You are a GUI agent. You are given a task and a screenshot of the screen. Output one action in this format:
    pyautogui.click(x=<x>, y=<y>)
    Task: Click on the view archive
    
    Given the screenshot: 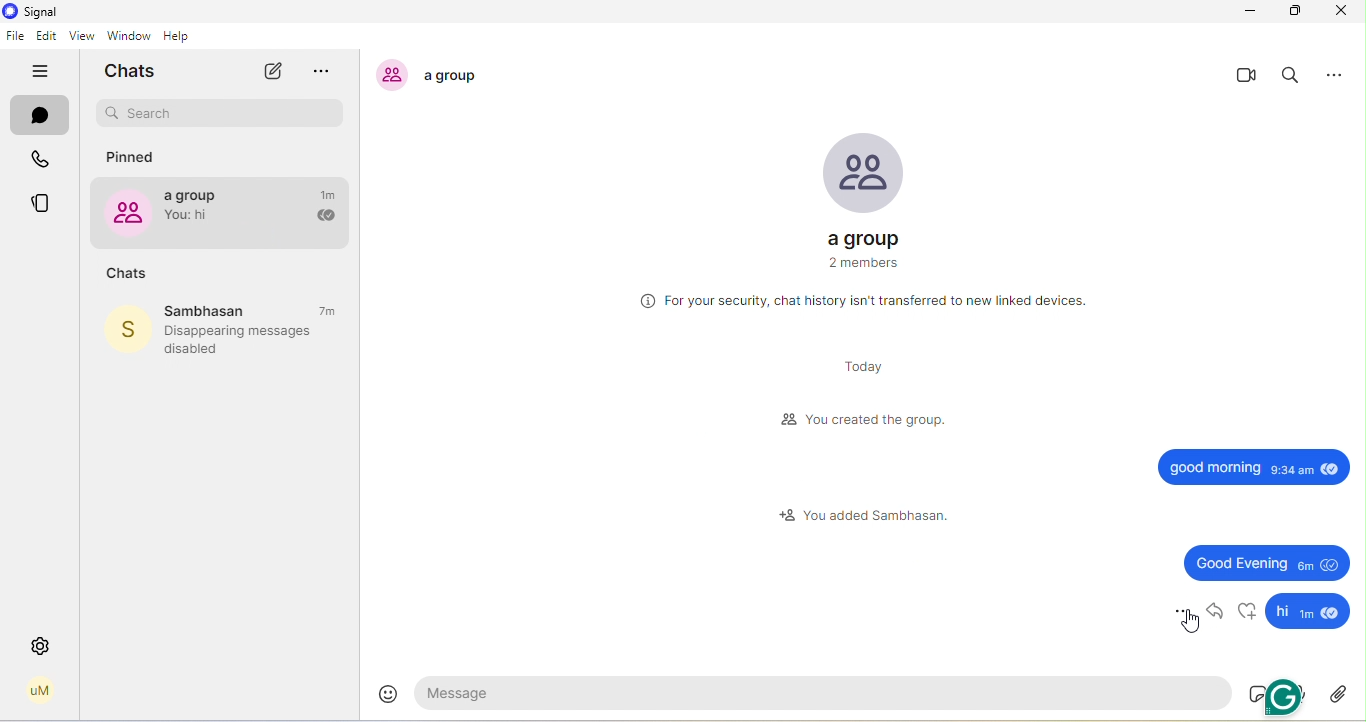 What is the action you would take?
    pyautogui.click(x=329, y=73)
    